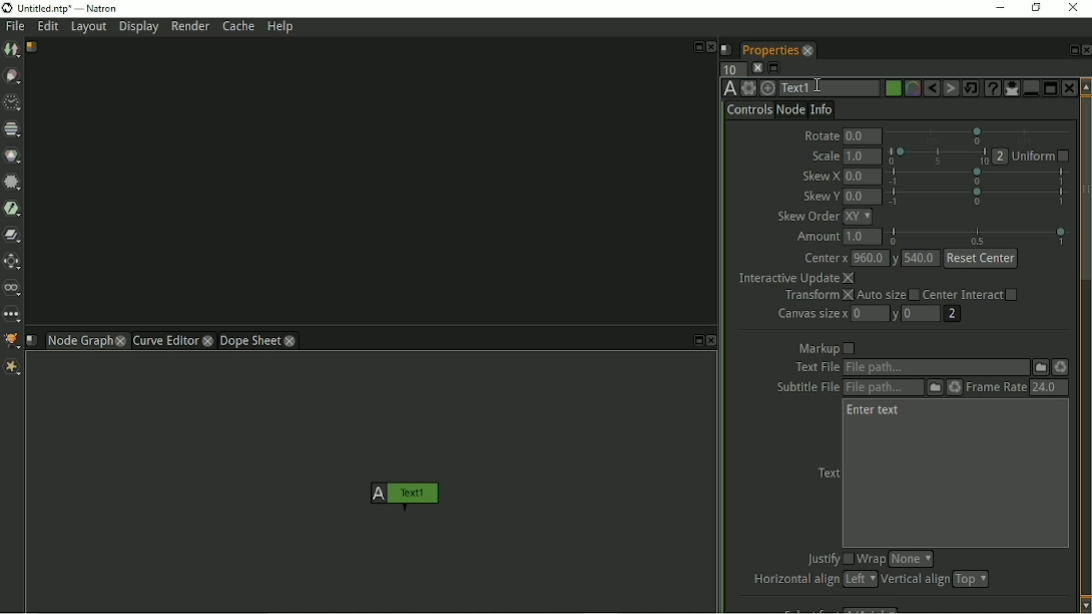 Image resolution: width=1092 pixels, height=614 pixels. I want to click on Minimize, so click(998, 7).